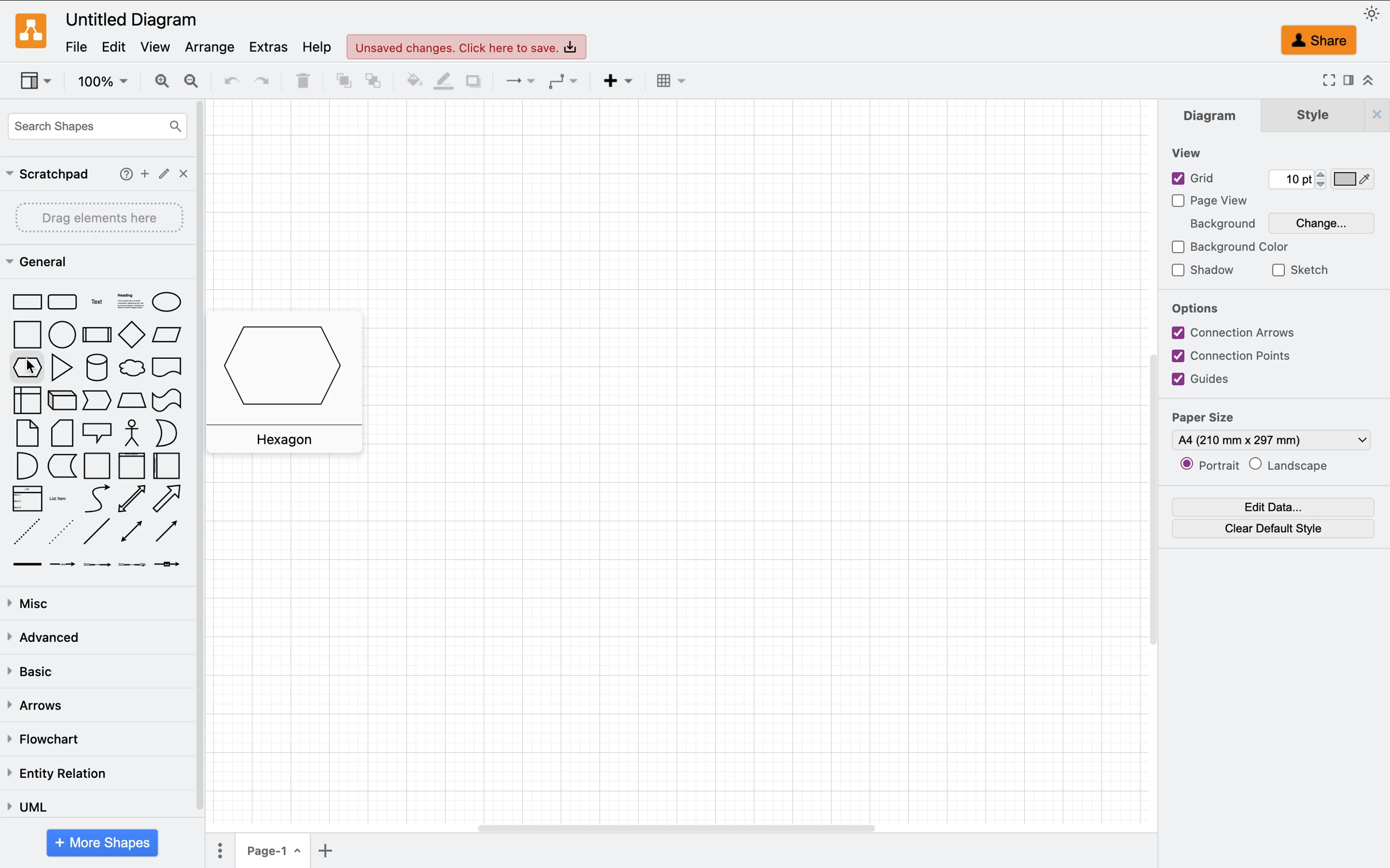 The width and height of the screenshot is (1390, 868). What do you see at coordinates (406, 80) in the screenshot?
I see `fill color` at bounding box center [406, 80].